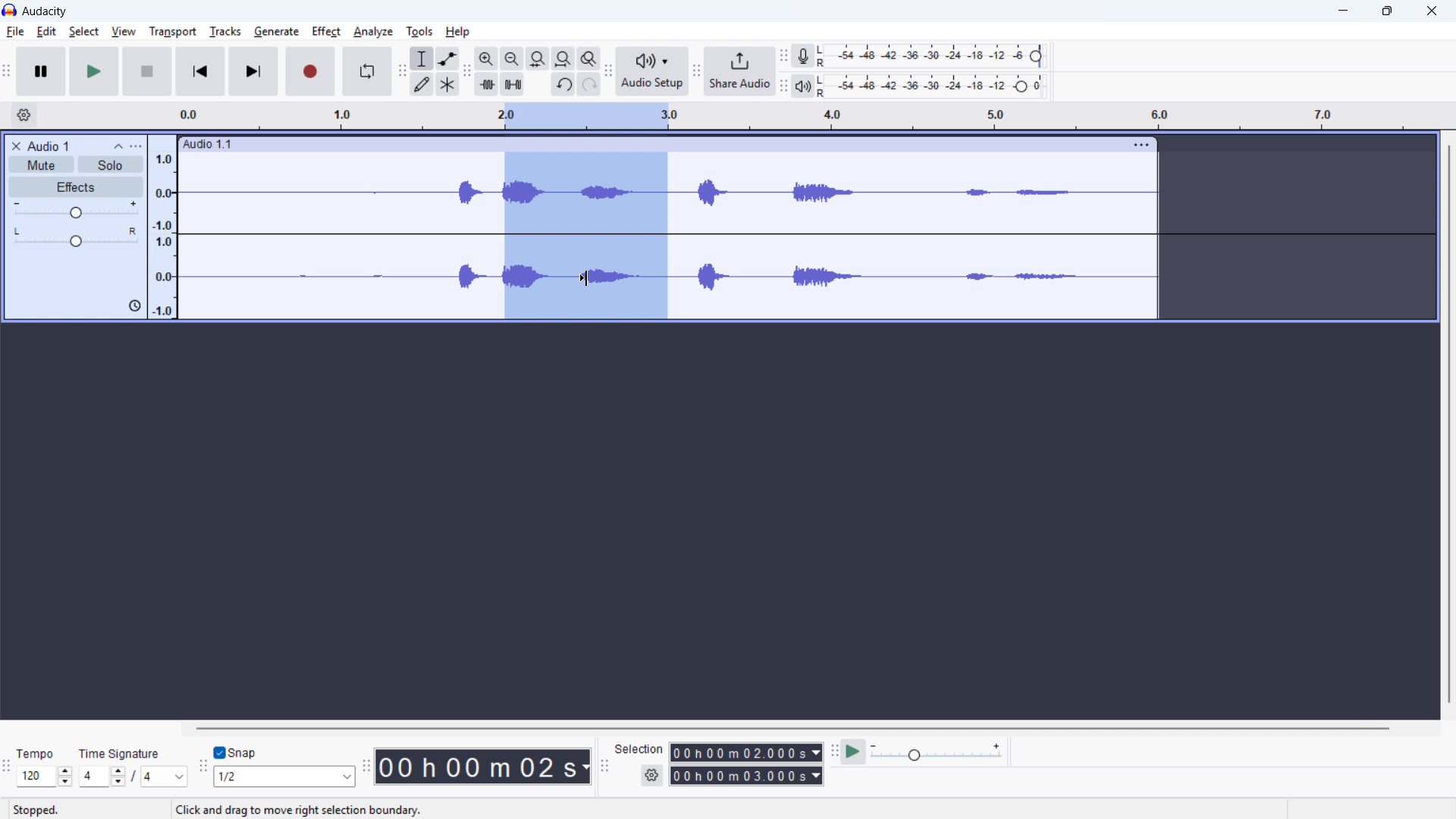 Image resolution: width=1456 pixels, height=819 pixels. What do you see at coordinates (697, 72) in the screenshot?
I see `Share audio toolbar` at bounding box center [697, 72].